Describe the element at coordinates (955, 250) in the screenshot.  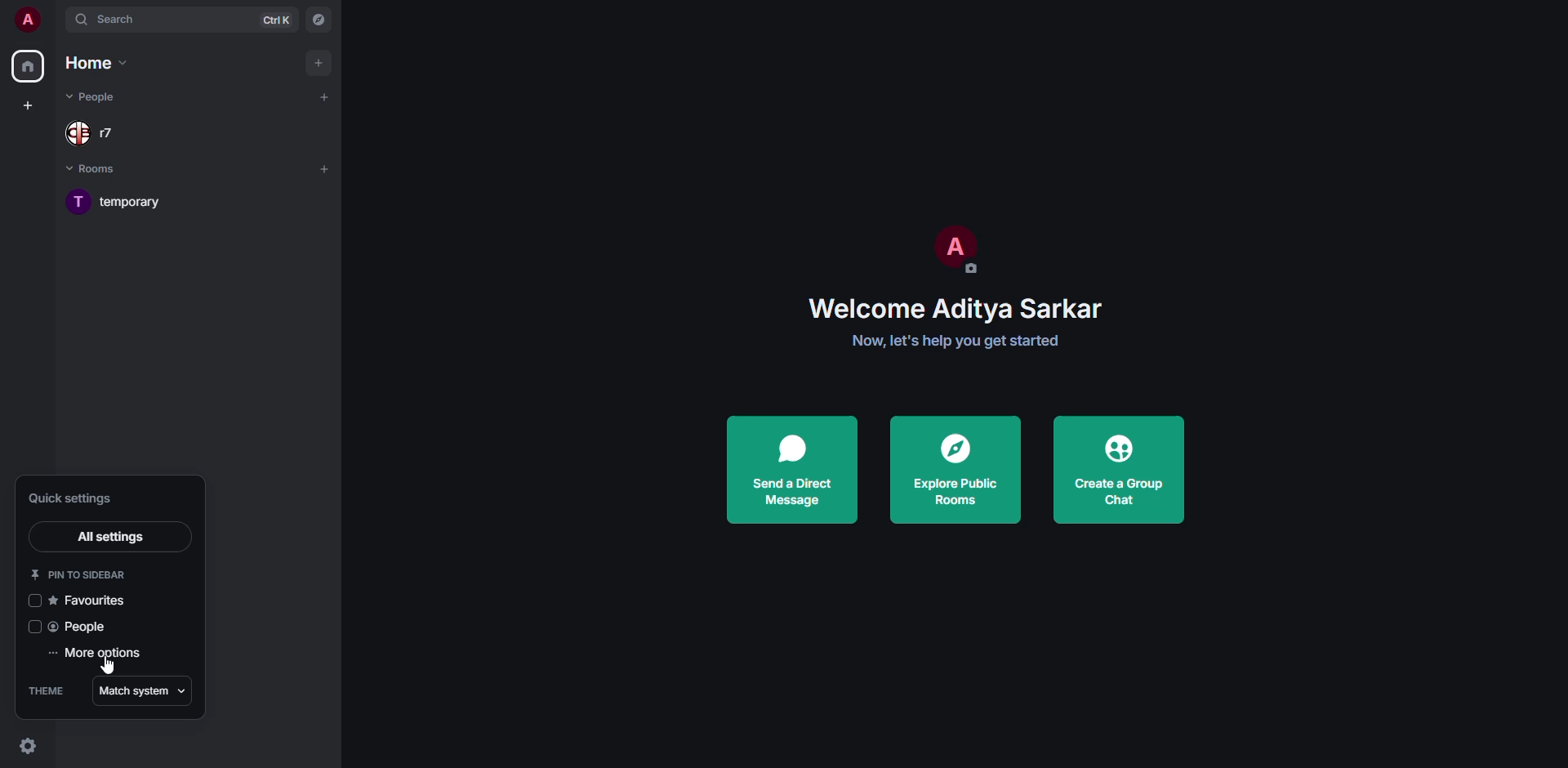
I see `profile pic` at that location.